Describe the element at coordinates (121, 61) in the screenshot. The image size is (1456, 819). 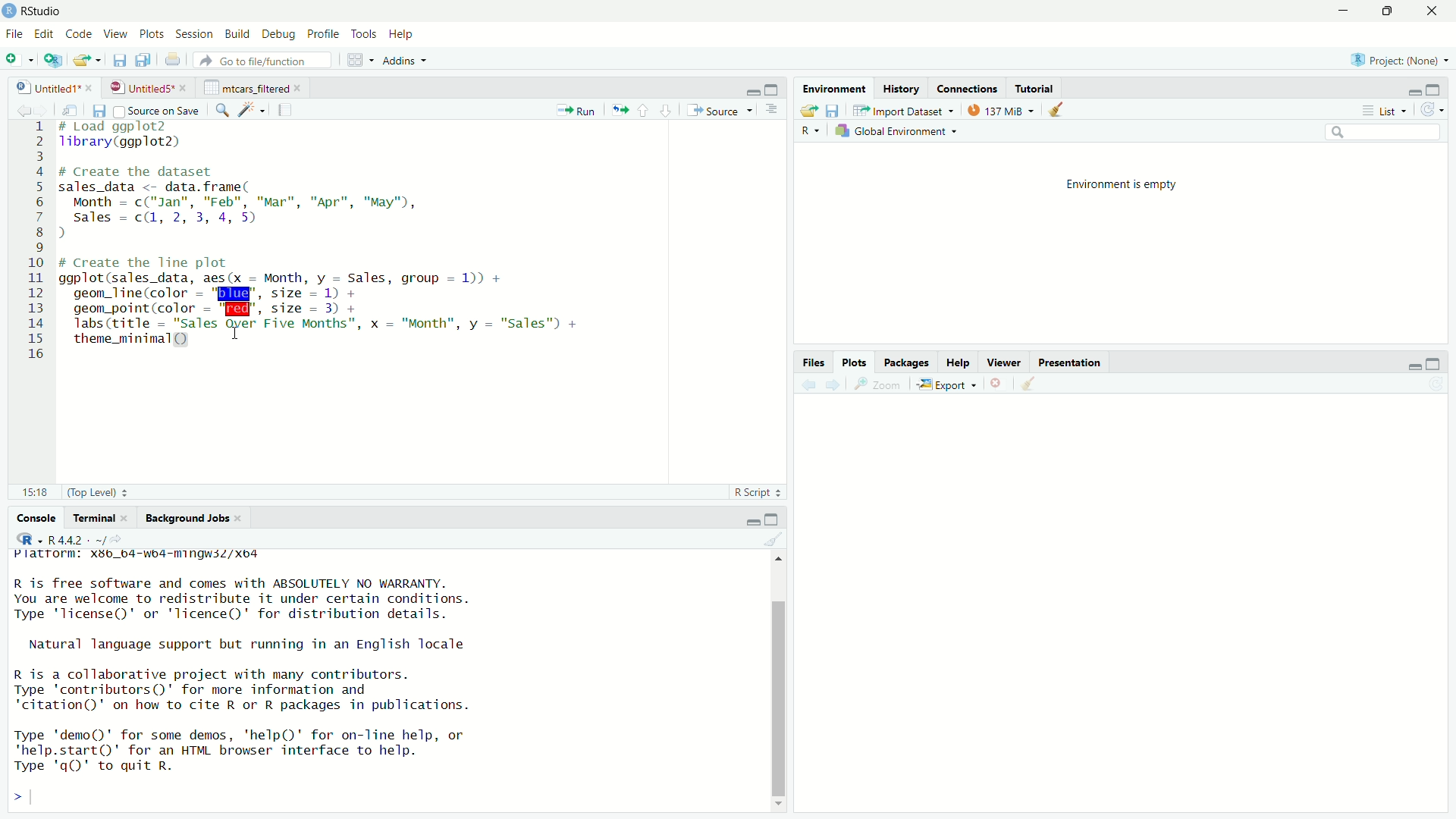
I see `save` at that location.